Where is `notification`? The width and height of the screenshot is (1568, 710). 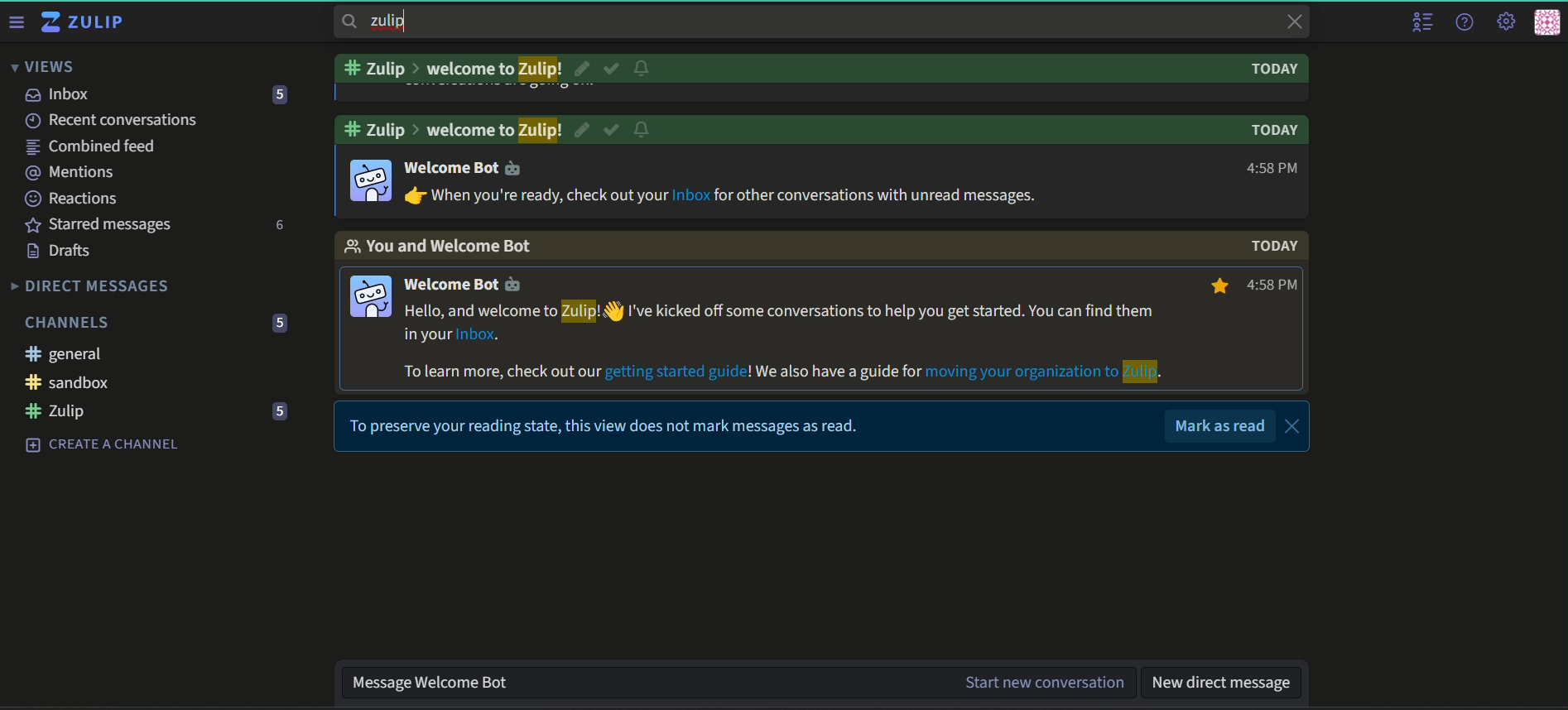 notification is located at coordinates (644, 130).